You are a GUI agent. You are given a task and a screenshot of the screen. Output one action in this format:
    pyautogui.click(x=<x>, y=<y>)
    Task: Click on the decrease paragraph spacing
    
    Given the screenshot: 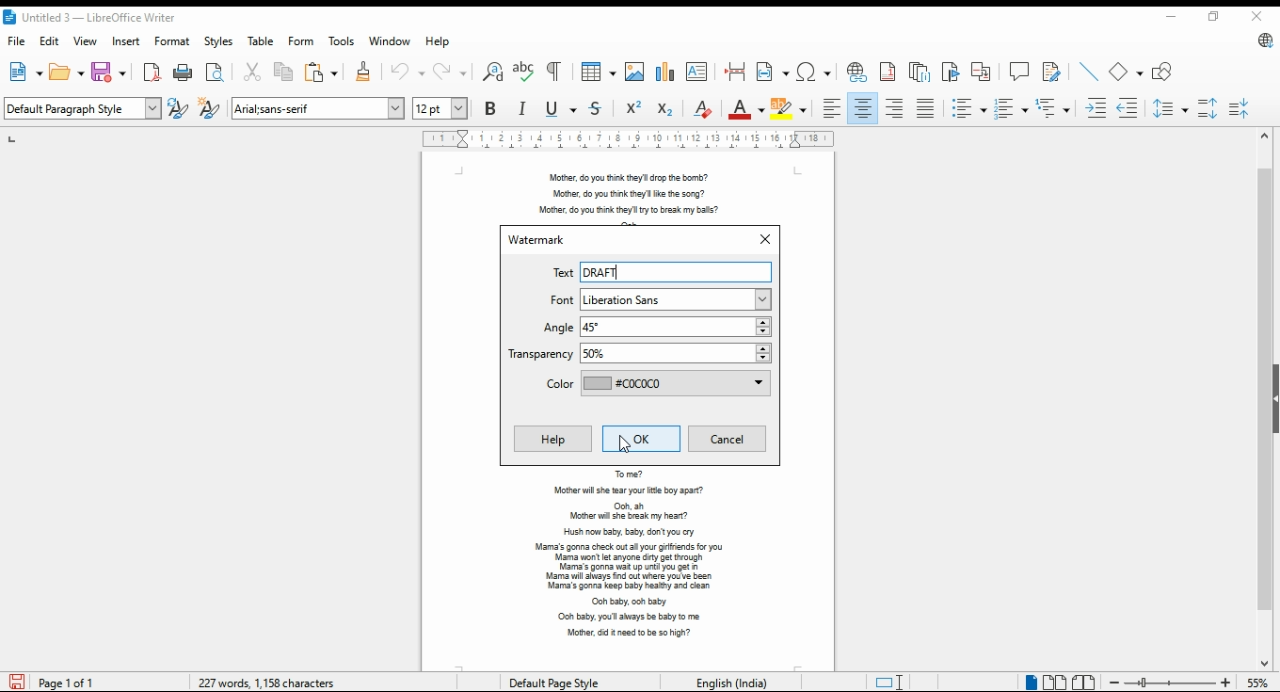 What is the action you would take?
    pyautogui.click(x=1244, y=108)
    